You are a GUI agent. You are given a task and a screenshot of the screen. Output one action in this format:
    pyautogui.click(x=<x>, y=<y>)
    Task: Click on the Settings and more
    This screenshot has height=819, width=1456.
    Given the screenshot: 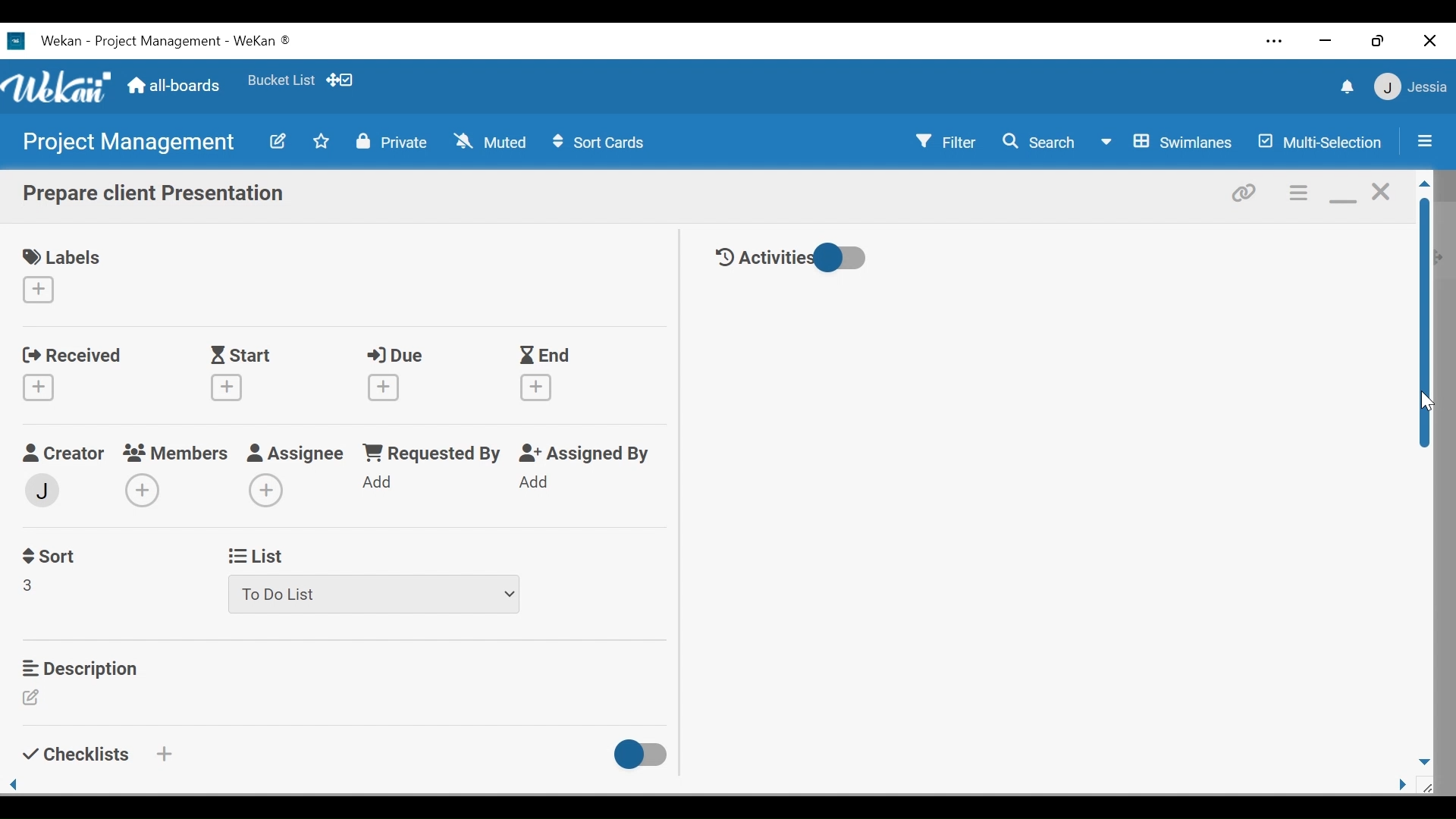 What is the action you would take?
    pyautogui.click(x=1276, y=41)
    